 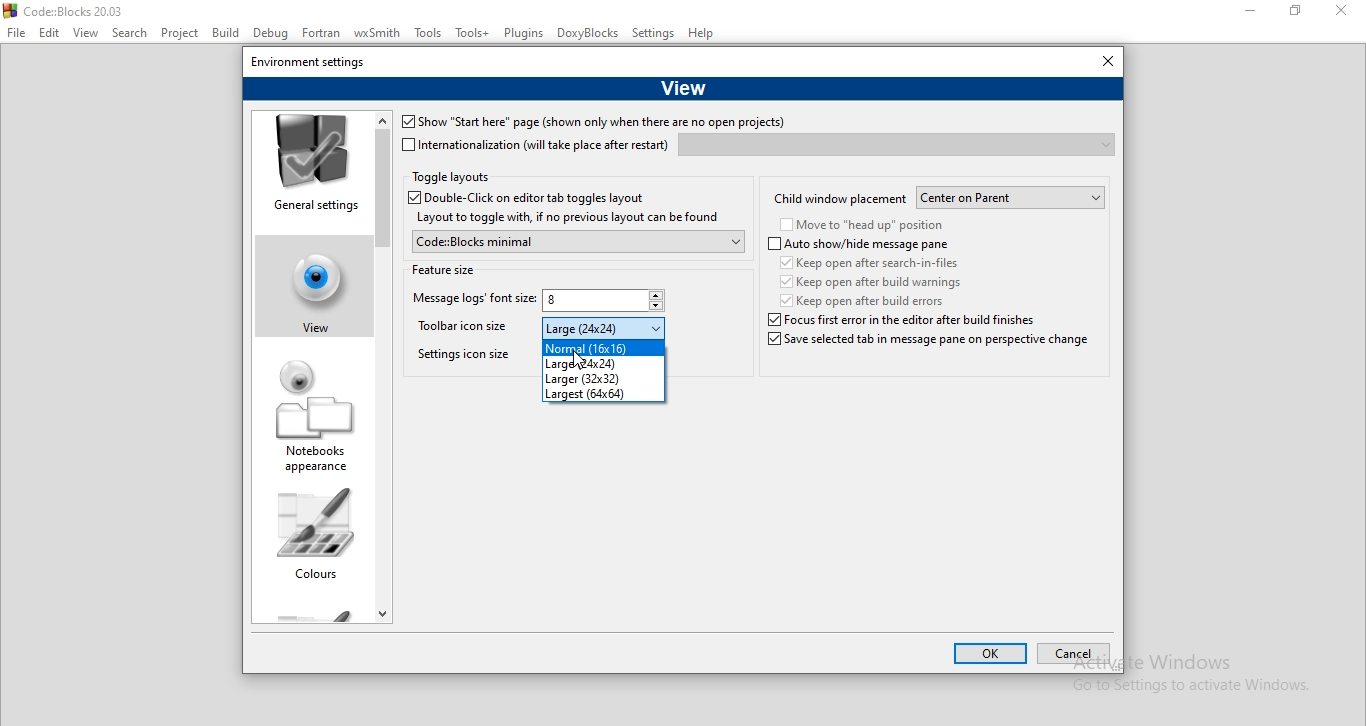 I want to click on Focus first error in the editor after build finishes, so click(x=866, y=320).